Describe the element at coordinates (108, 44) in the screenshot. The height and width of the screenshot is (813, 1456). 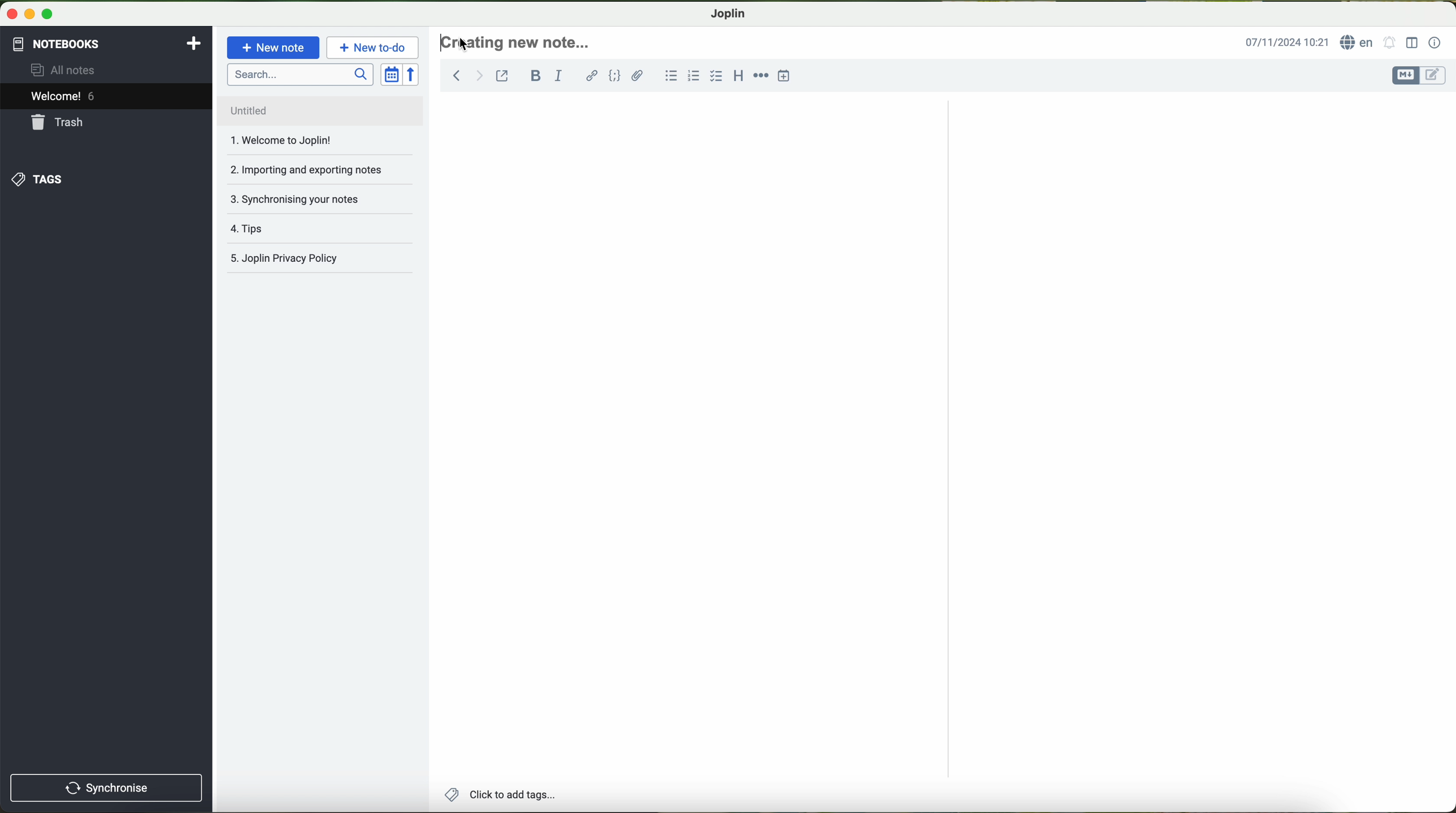
I see `notebooks tab` at that location.